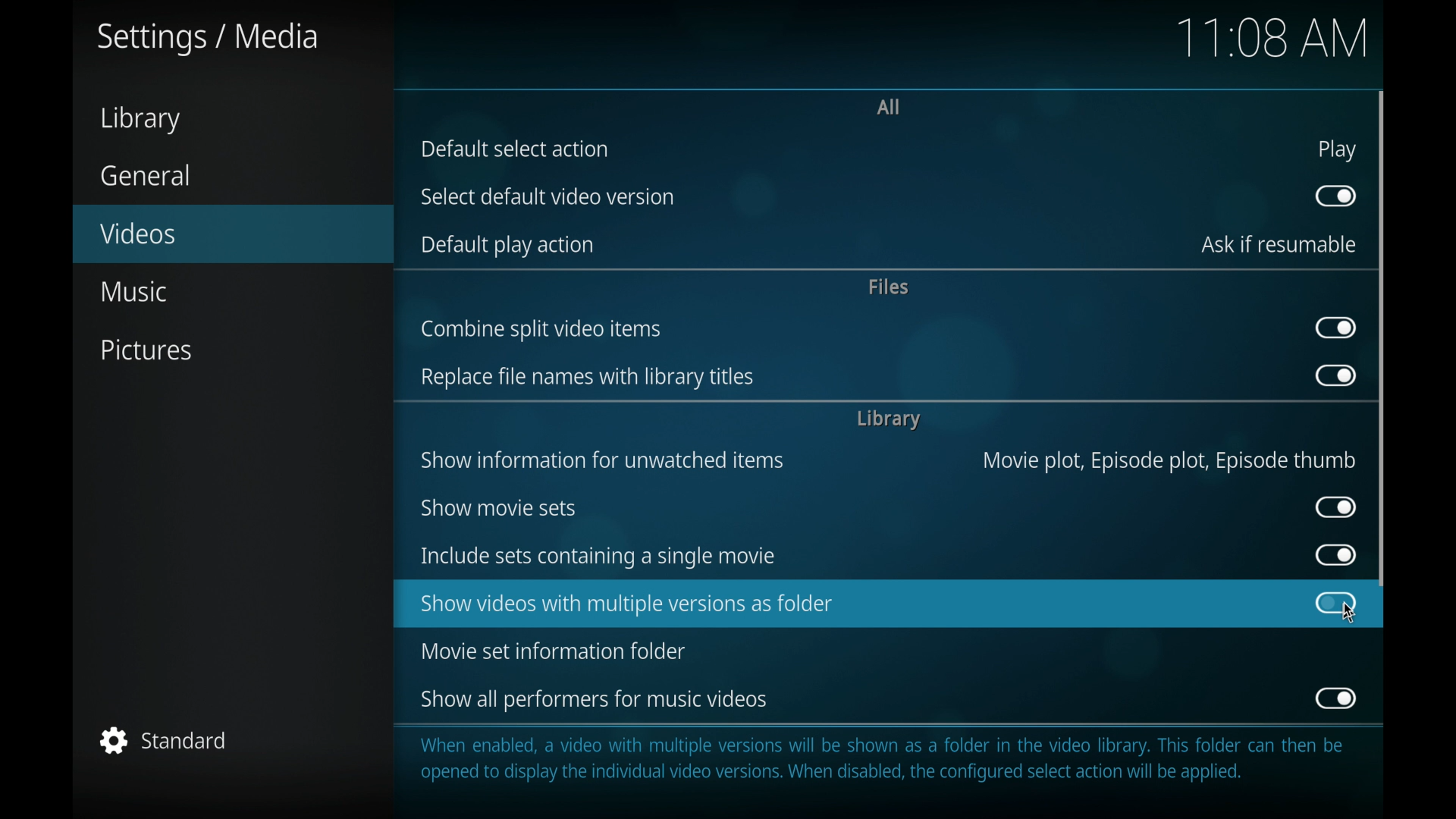 This screenshot has height=819, width=1456. What do you see at coordinates (890, 286) in the screenshot?
I see `files` at bounding box center [890, 286].